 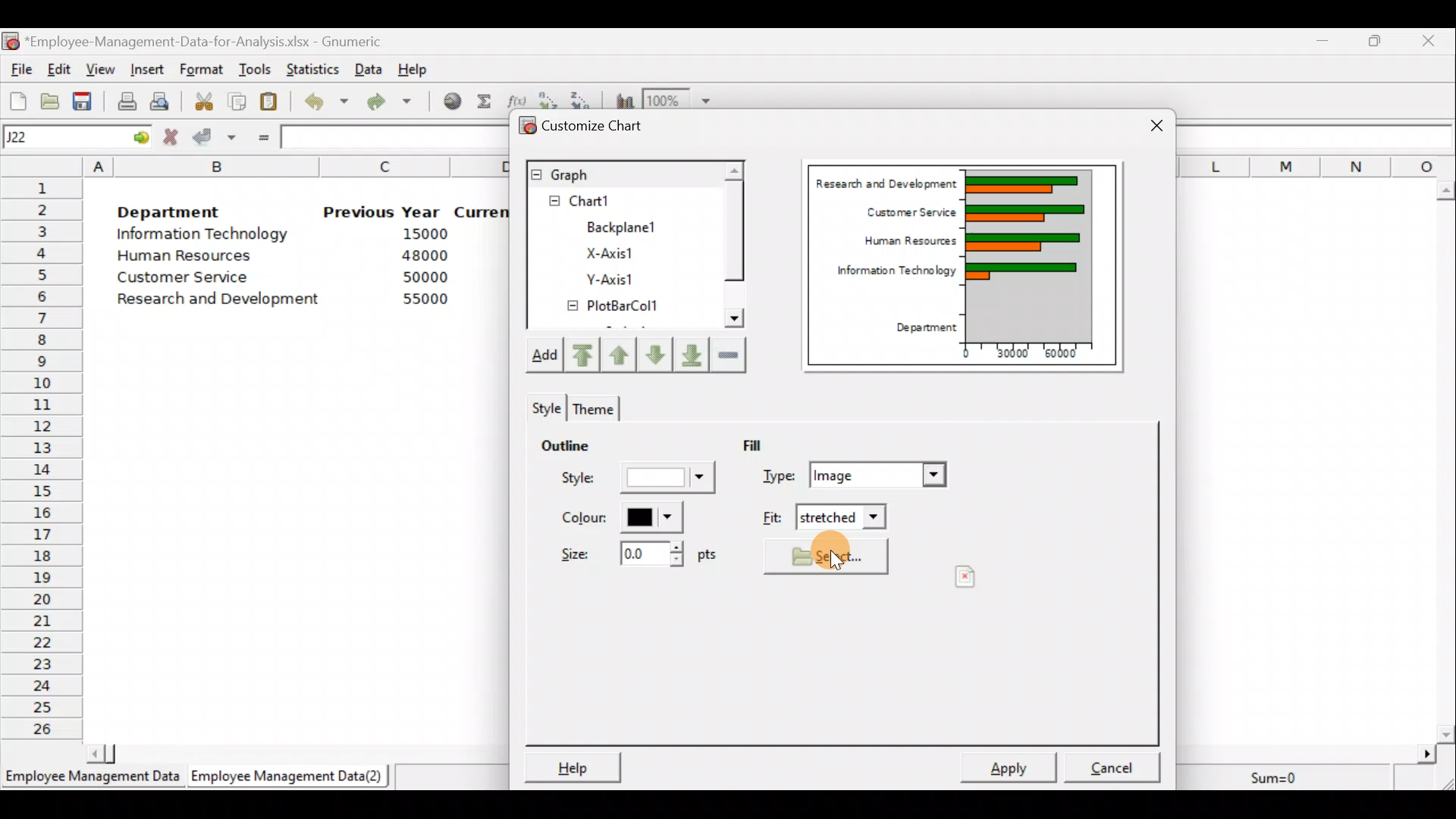 What do you see at coordinates (12, 41) in the screenshot?
I see `Gnumeric logo` at bounding box center [12, 41].